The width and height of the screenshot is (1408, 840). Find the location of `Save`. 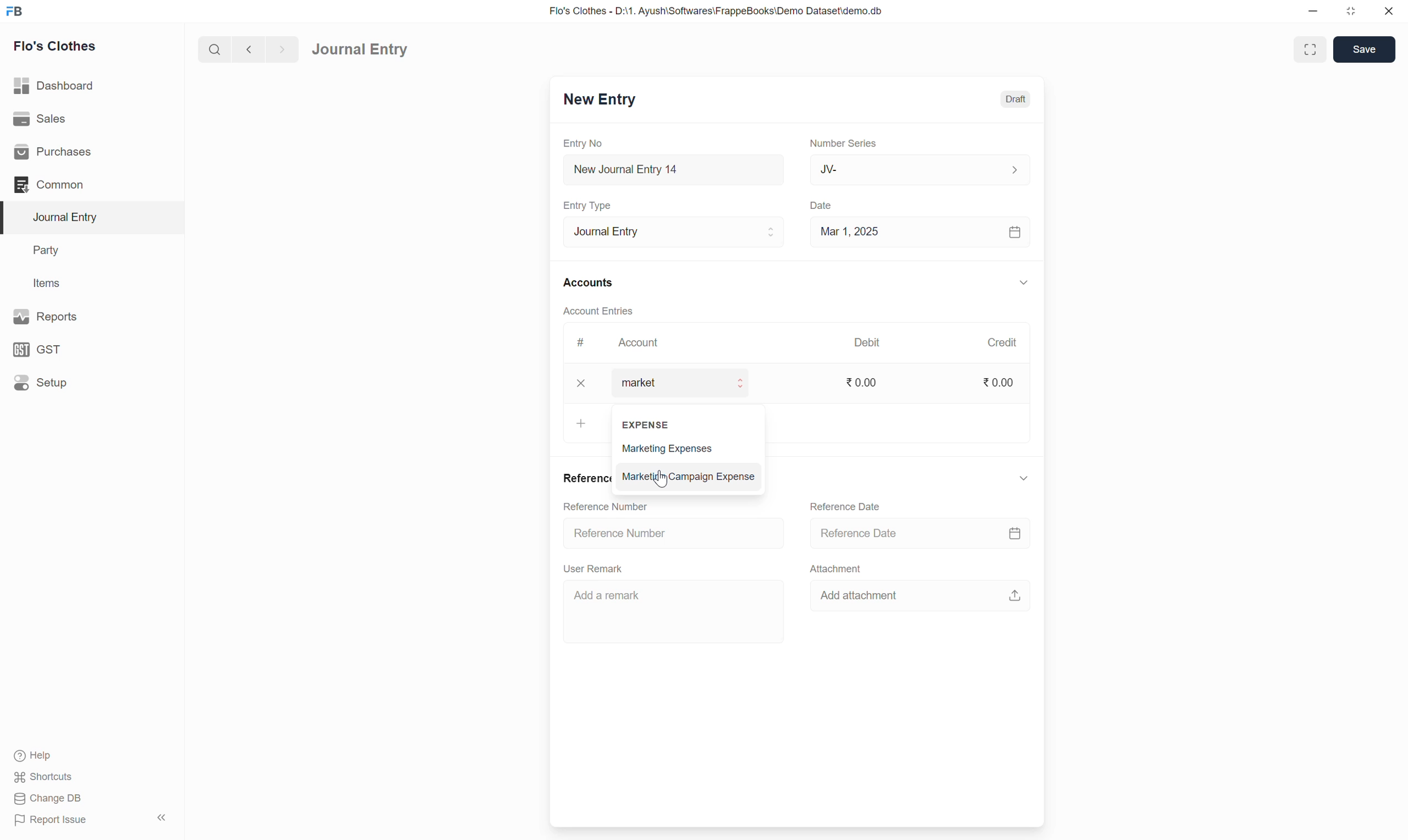

Save is located at coordinates (1365, 50).